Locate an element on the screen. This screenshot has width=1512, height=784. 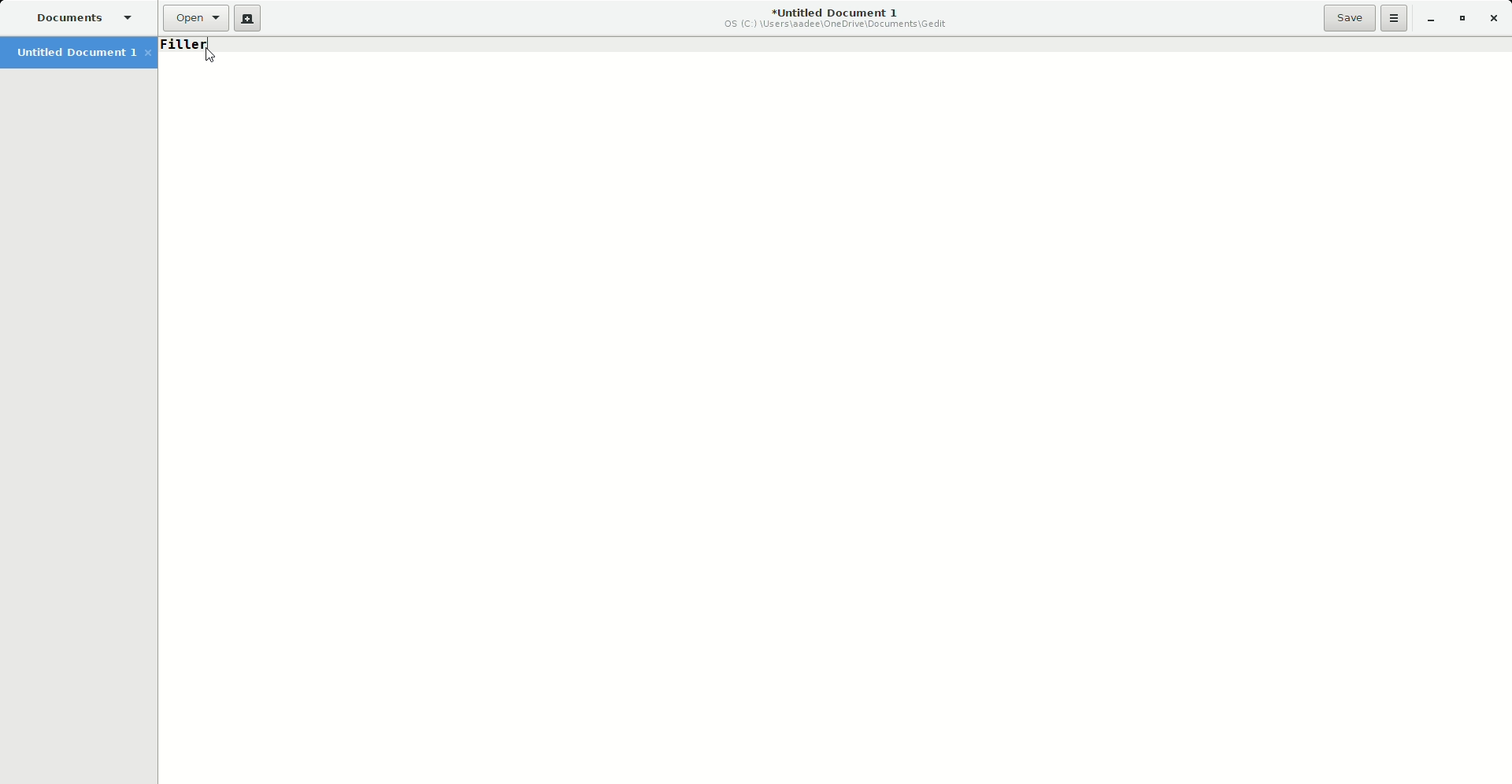
Restore is located at coordinates (1460, 20).